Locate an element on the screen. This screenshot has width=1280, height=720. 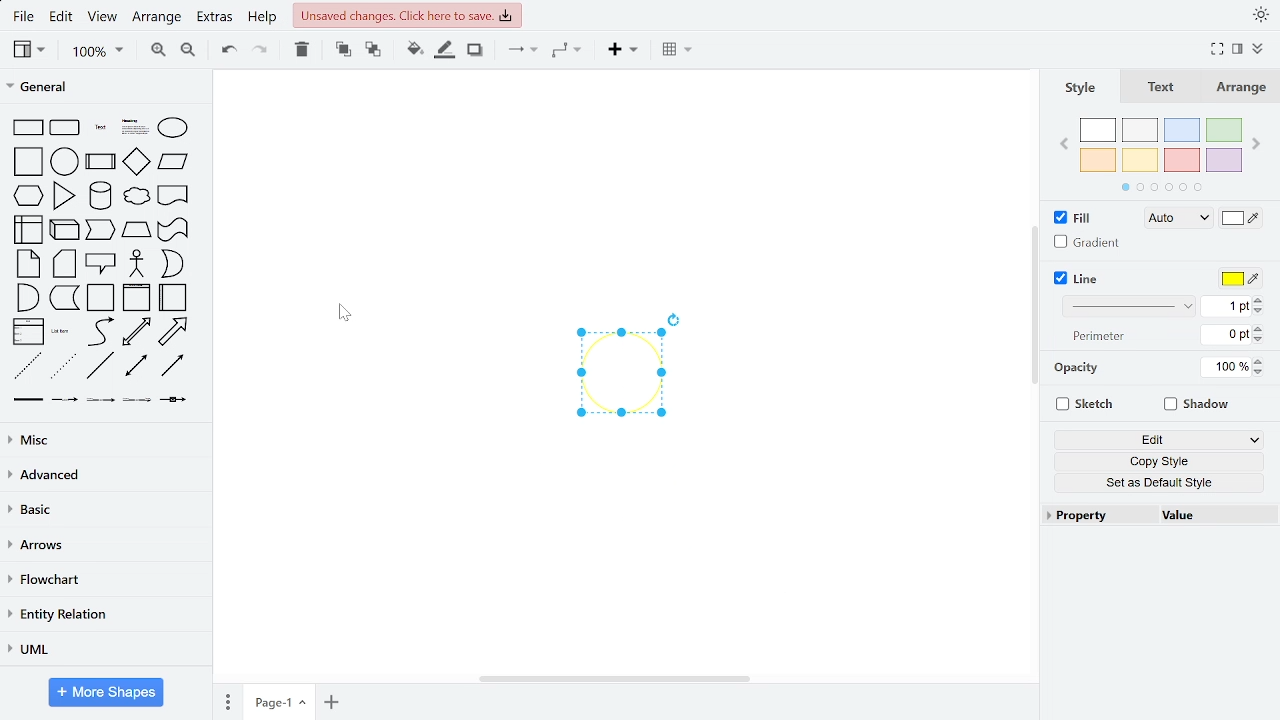
flowchart is located at coordinates (106, 580).